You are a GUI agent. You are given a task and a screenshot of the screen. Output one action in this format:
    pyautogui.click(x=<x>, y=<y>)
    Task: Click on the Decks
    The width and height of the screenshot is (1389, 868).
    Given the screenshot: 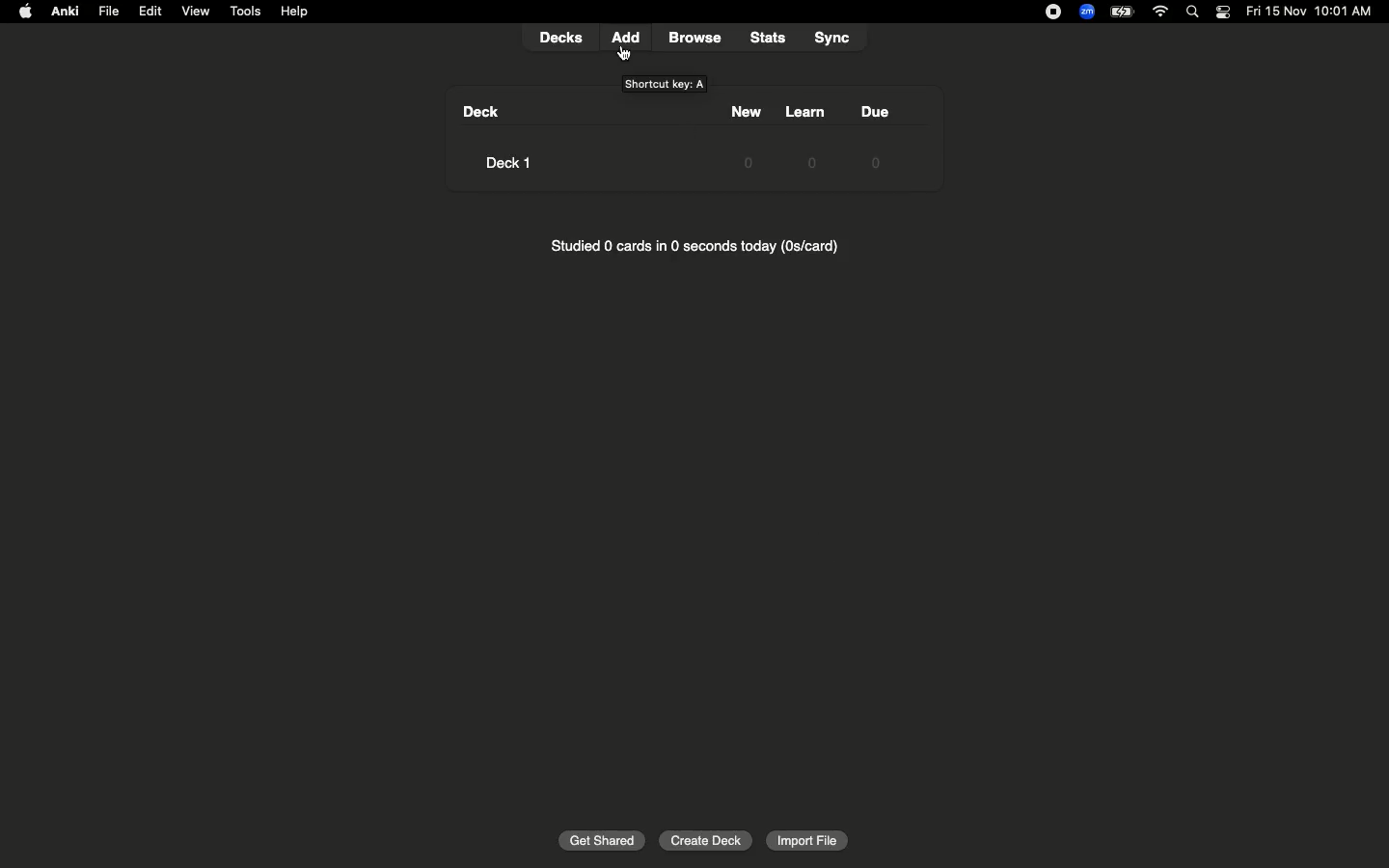 What is the action you would take?
    pyautogui.click(x=563, y=36)
    